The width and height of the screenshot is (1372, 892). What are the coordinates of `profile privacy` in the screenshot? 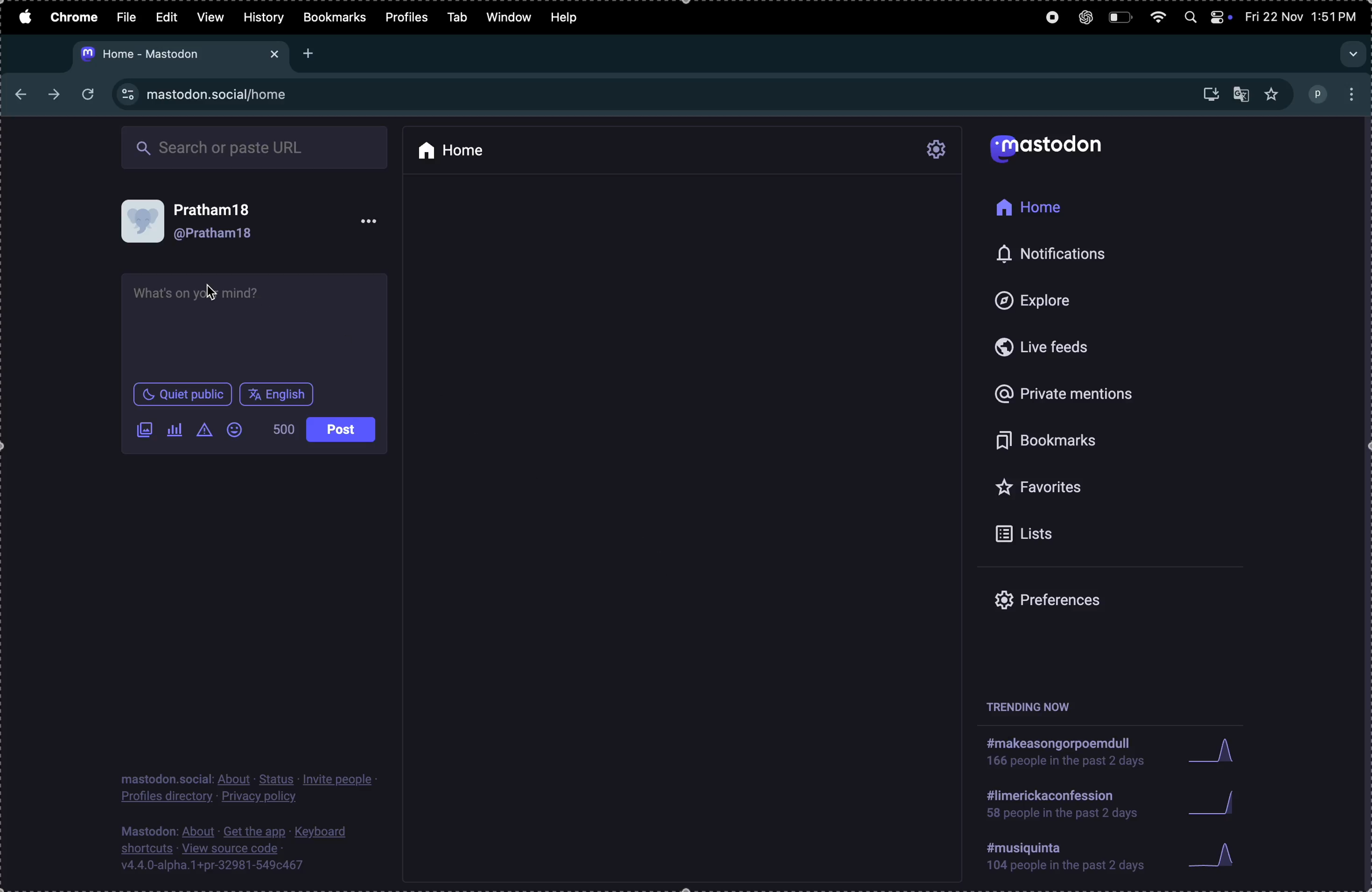 It's located at (255, 787).